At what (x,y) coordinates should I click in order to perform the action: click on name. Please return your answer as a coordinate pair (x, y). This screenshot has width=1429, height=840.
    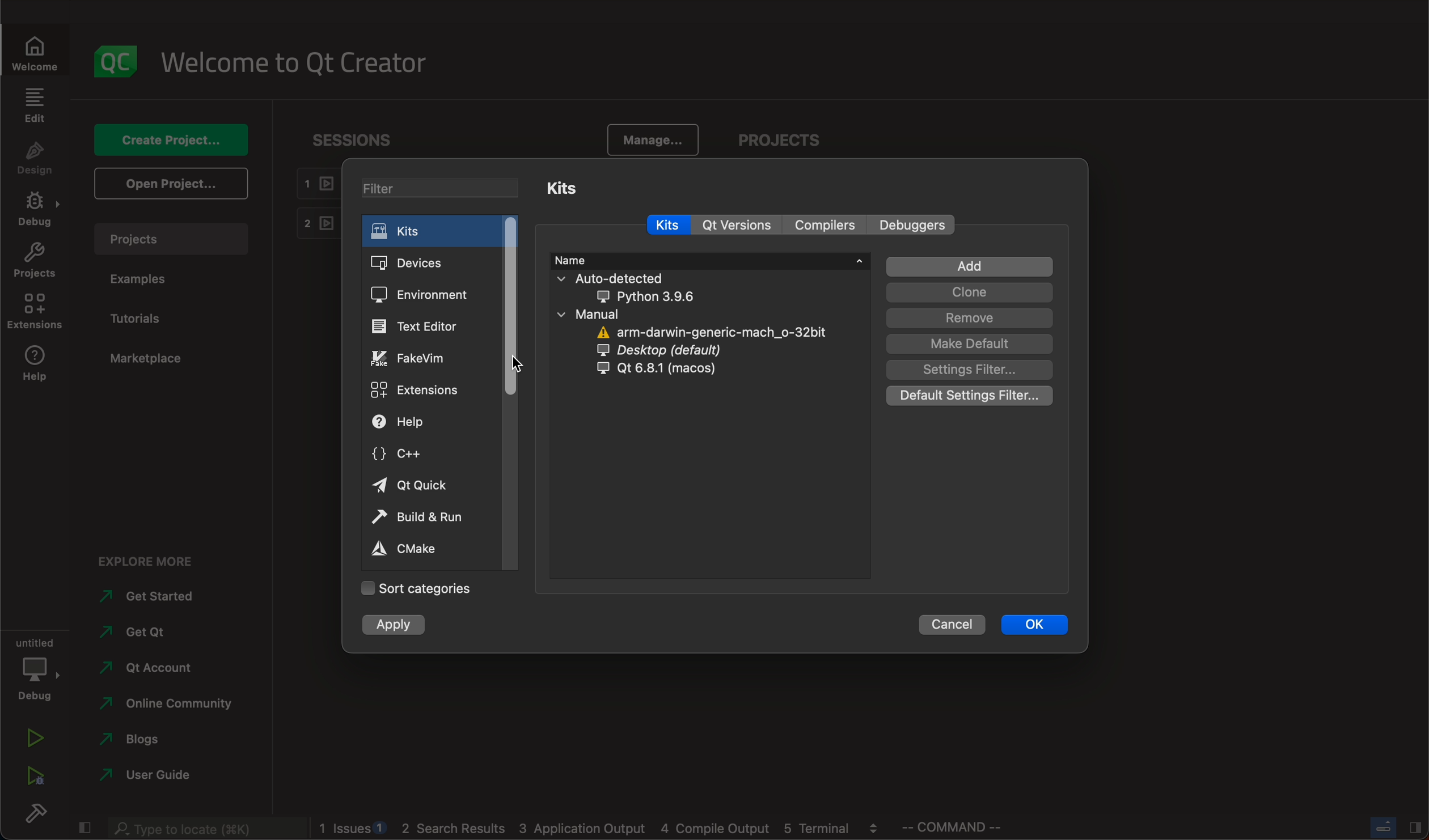
    Looking at the image, I should click on (709, 260).